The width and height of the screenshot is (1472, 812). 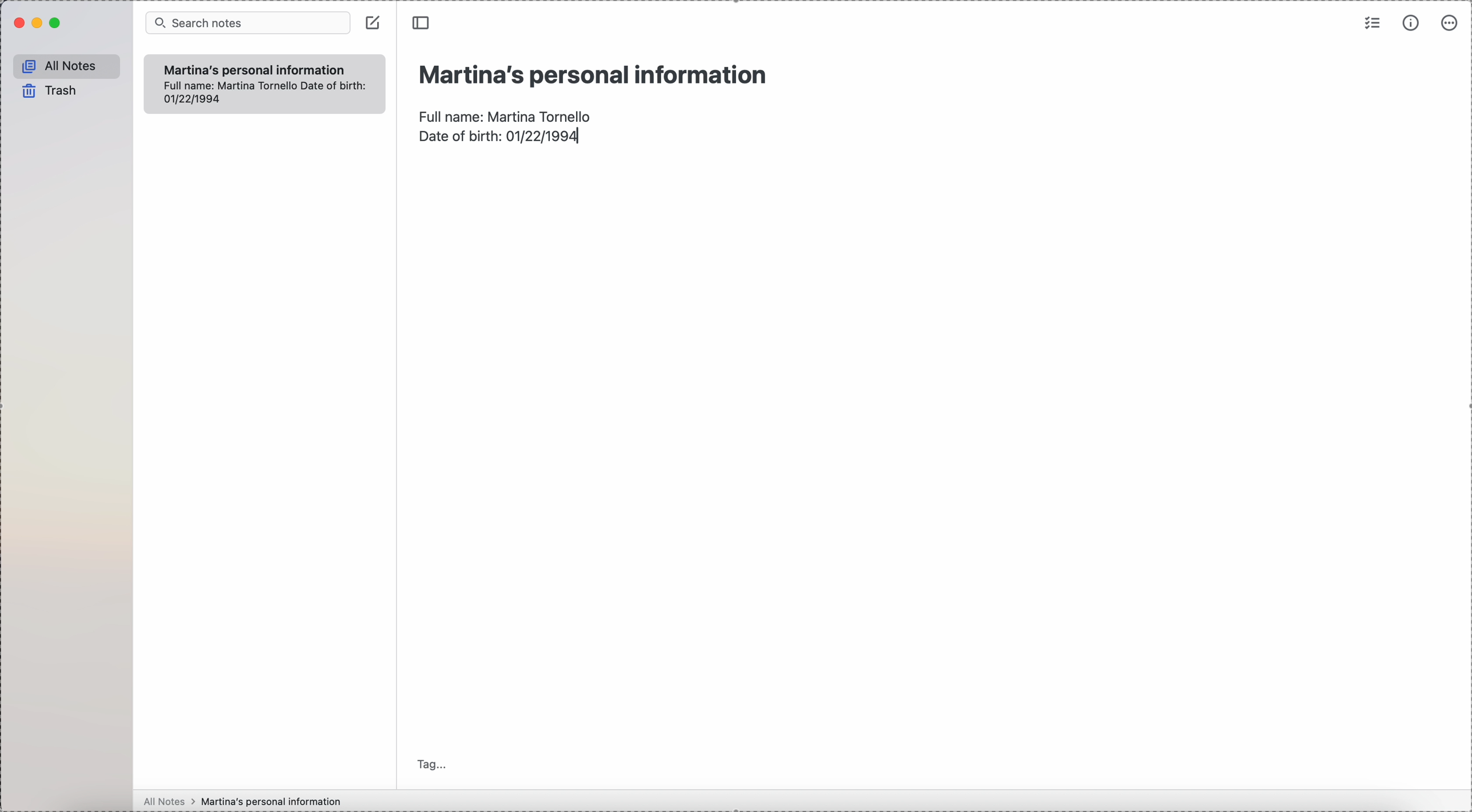 I want to click on Martina's personal information Full name: Martina Tornello date of birth: 01/22/1994, so click(x=265, y=83).